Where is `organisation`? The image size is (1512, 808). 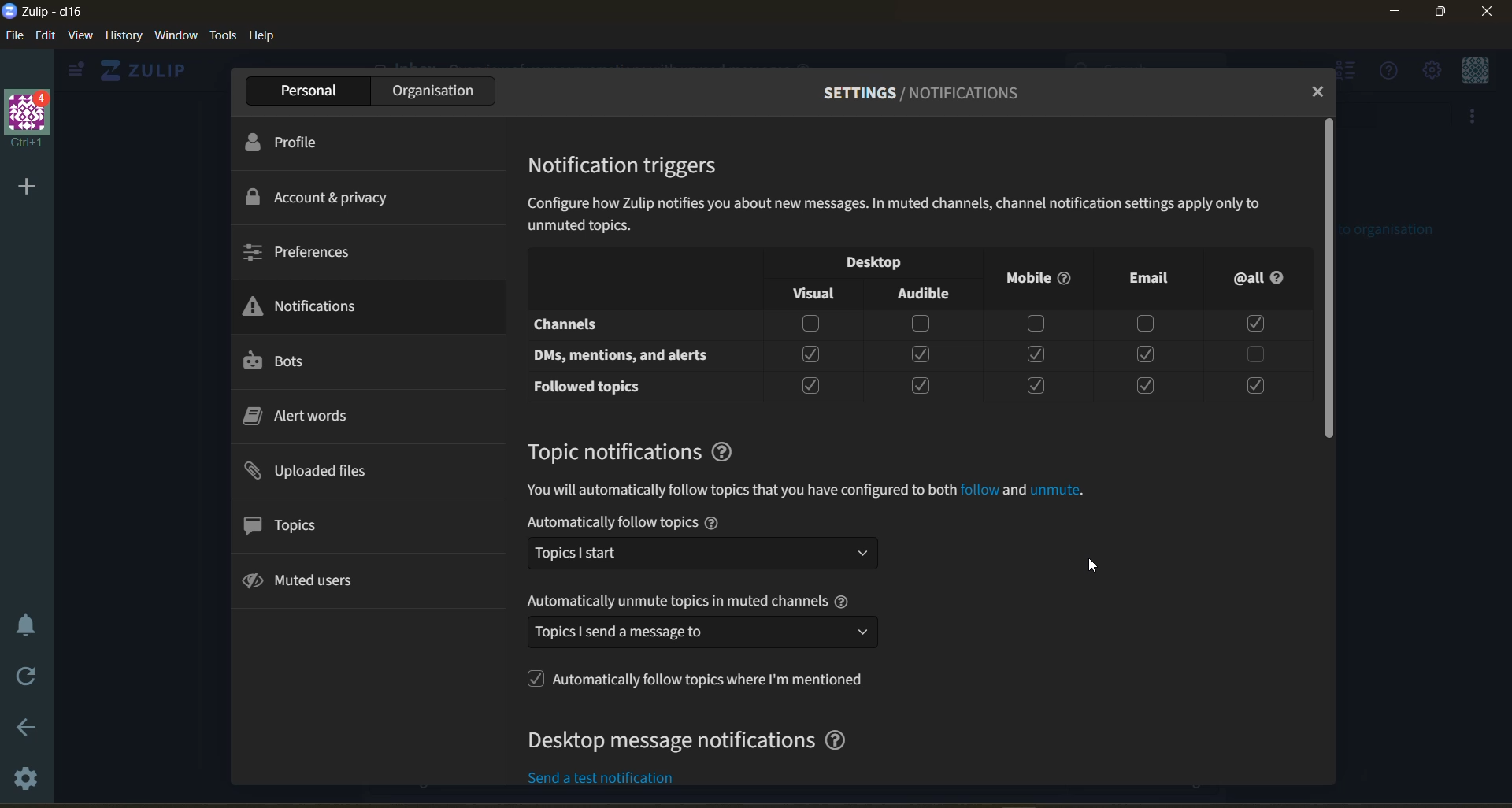 organisation is located at coordinates (430, 90).